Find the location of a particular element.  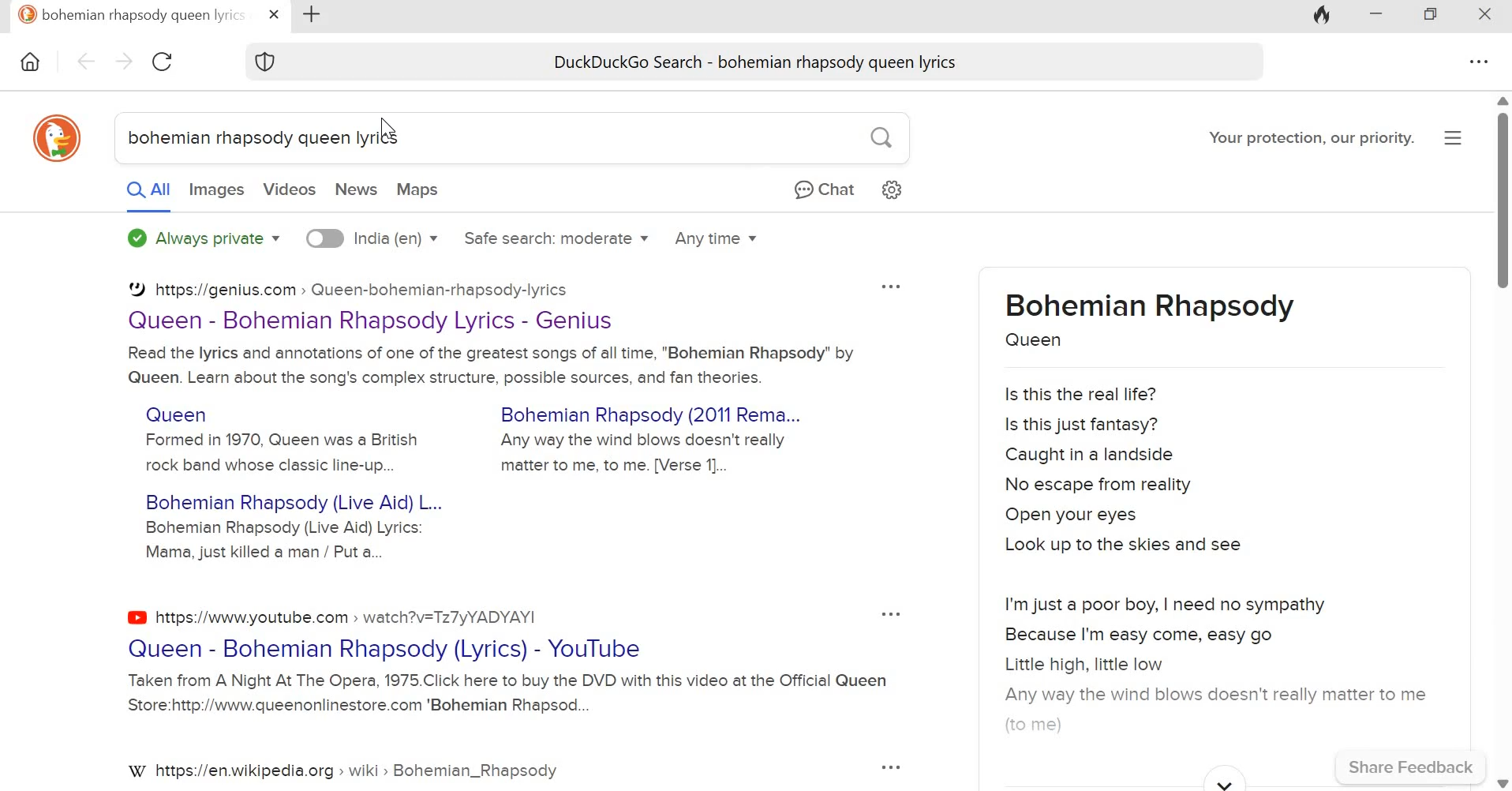

close is located at coordinates (275, 15).